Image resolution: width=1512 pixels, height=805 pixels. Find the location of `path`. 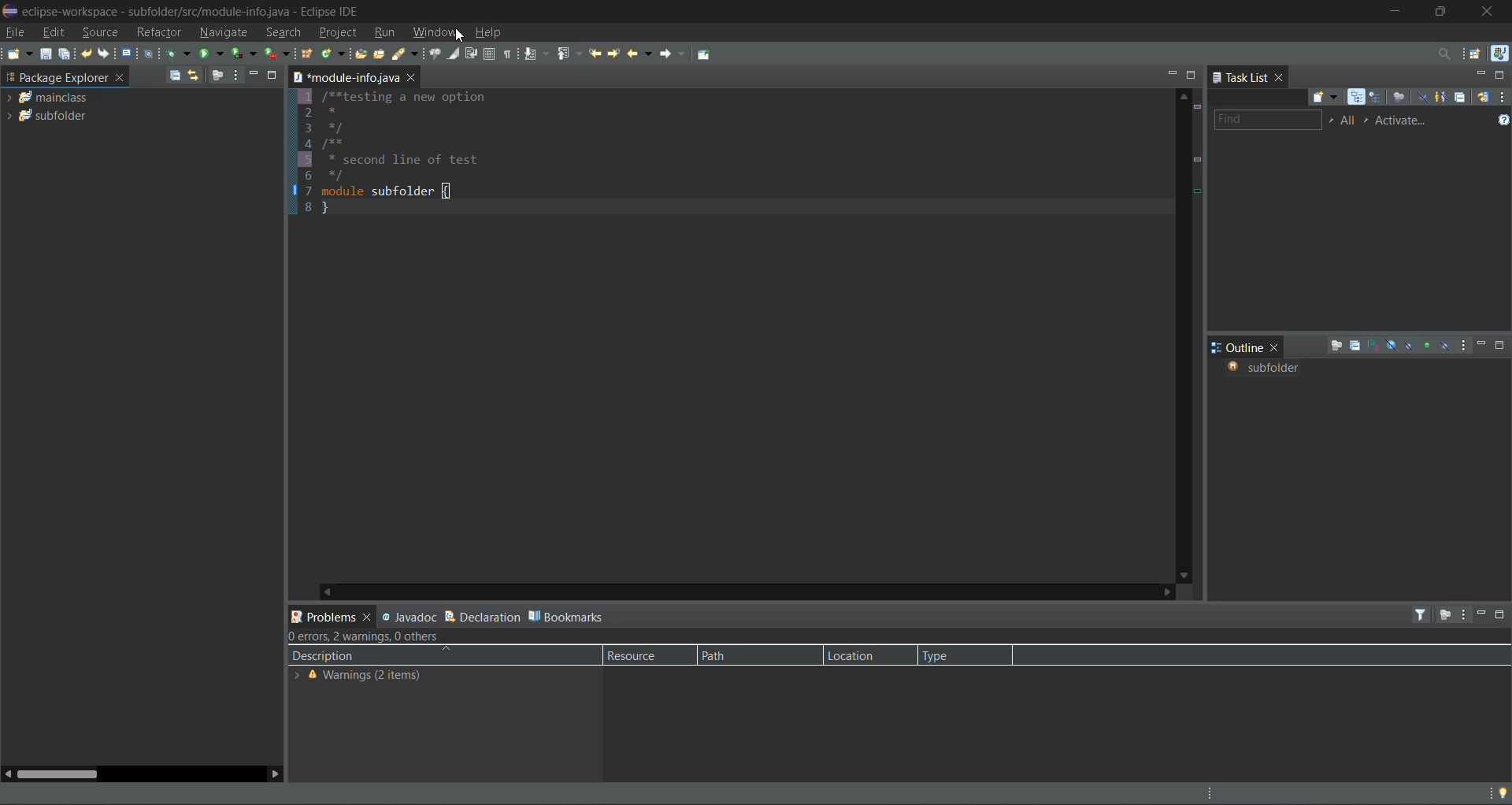

path is located at coordinates (718, 655).